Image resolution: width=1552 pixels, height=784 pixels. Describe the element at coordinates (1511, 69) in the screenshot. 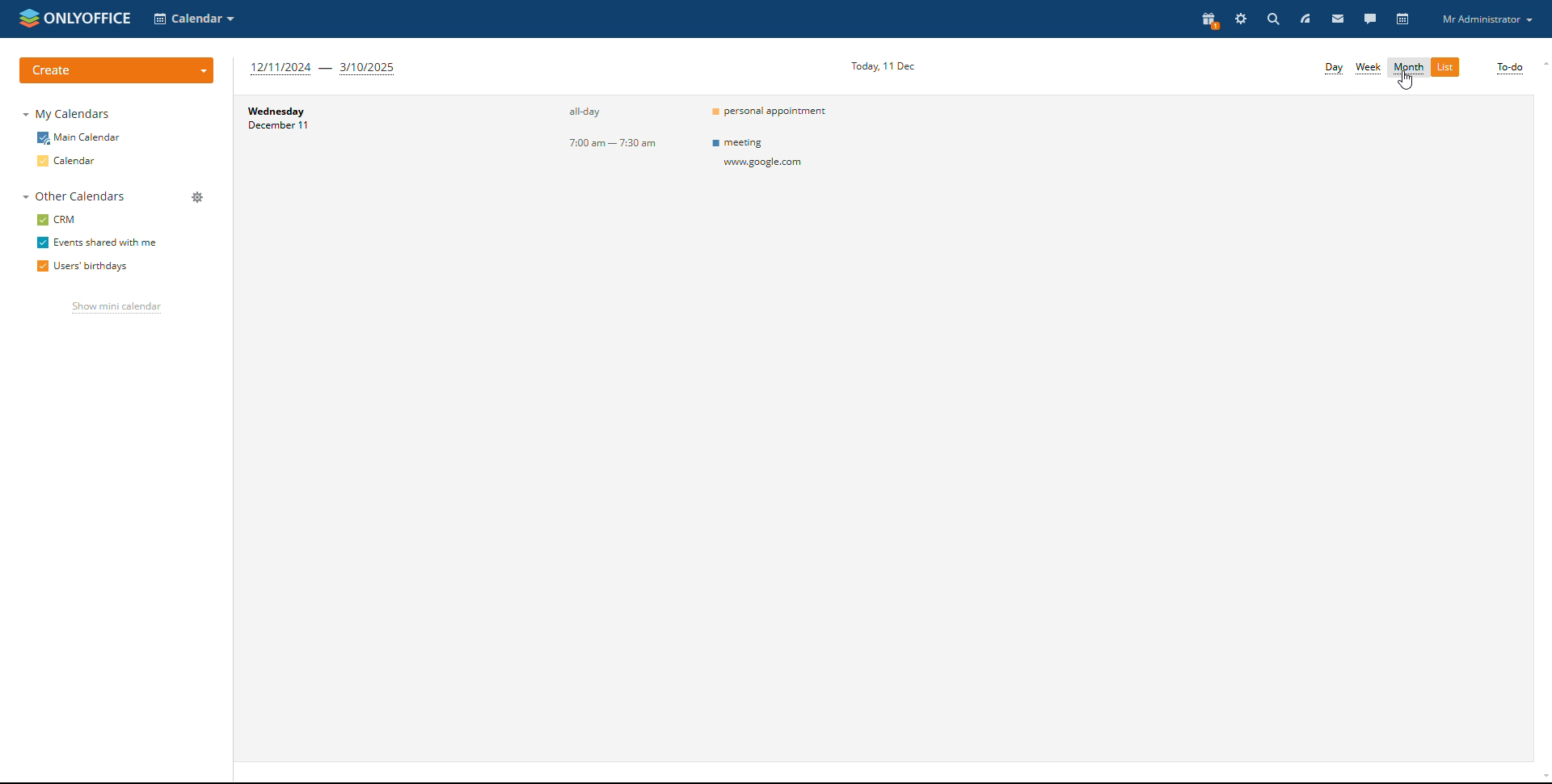

I see `to-do` at that location.